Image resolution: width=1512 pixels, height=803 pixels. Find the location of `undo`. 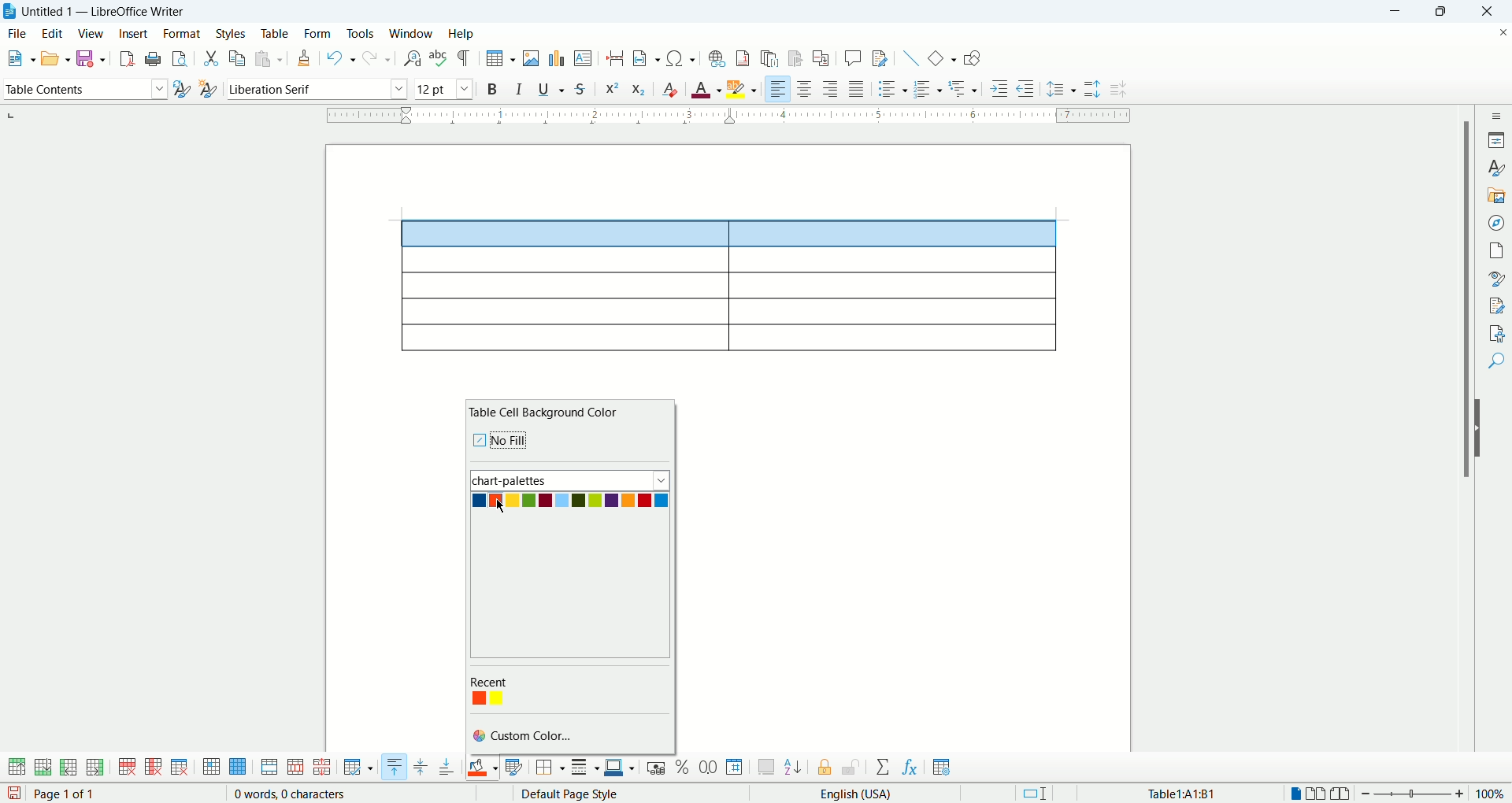

undo is located at coordinates (342, 59).